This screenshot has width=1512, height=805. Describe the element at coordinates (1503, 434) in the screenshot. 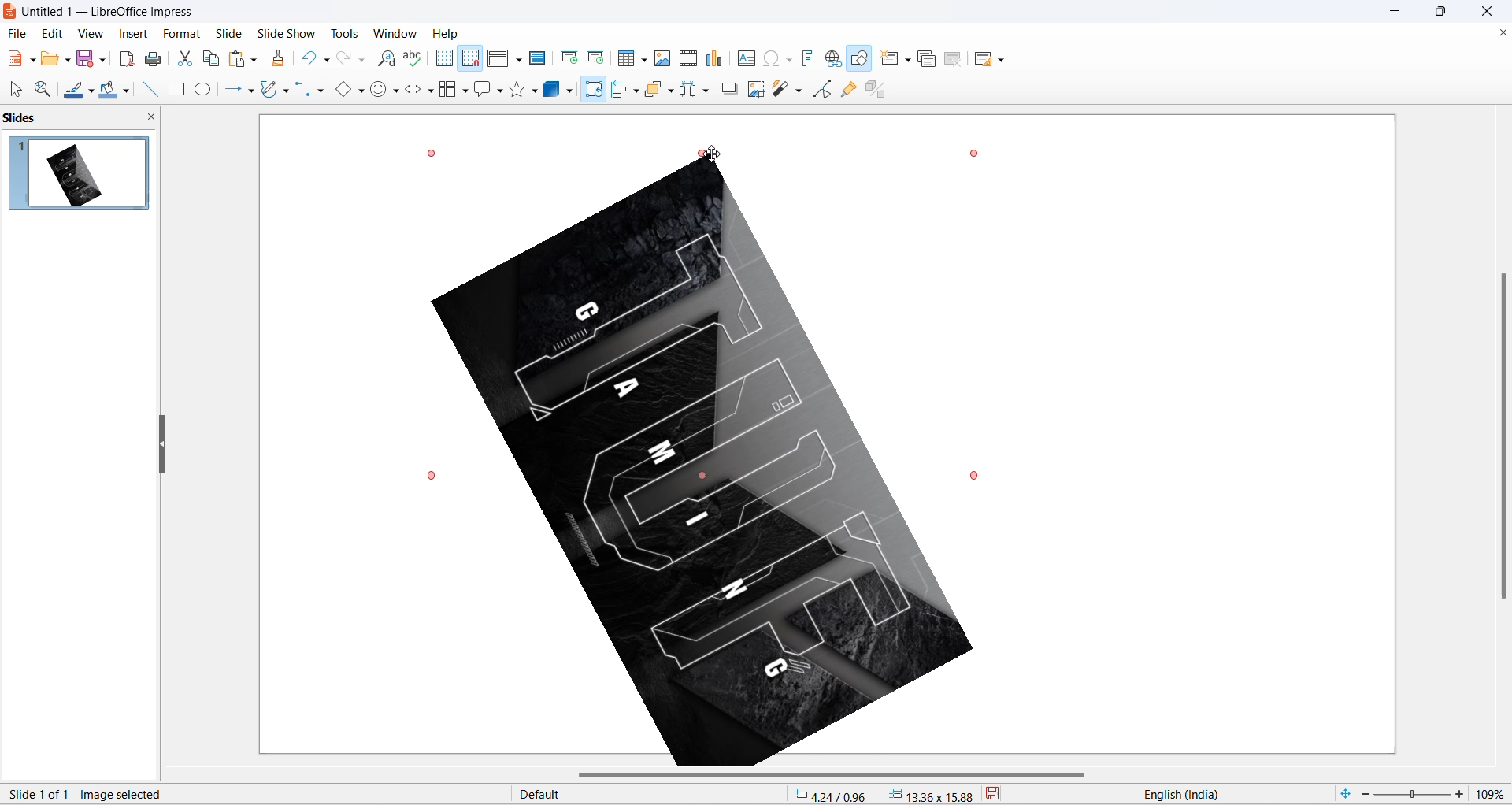

I see `vertical scroll bar` at that location.